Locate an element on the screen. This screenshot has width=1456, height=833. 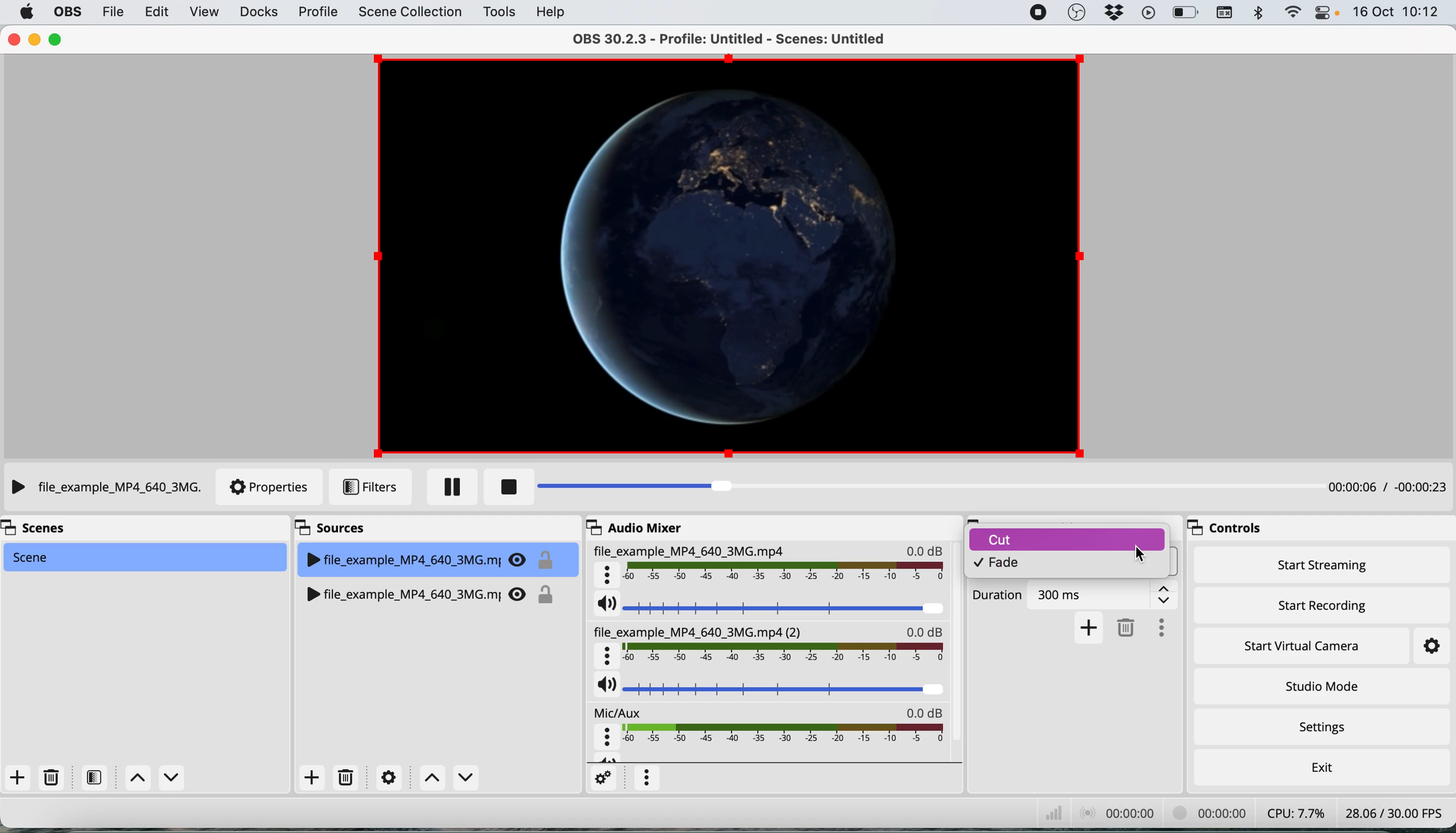
delete transition is located at coordinates (1126, 626).